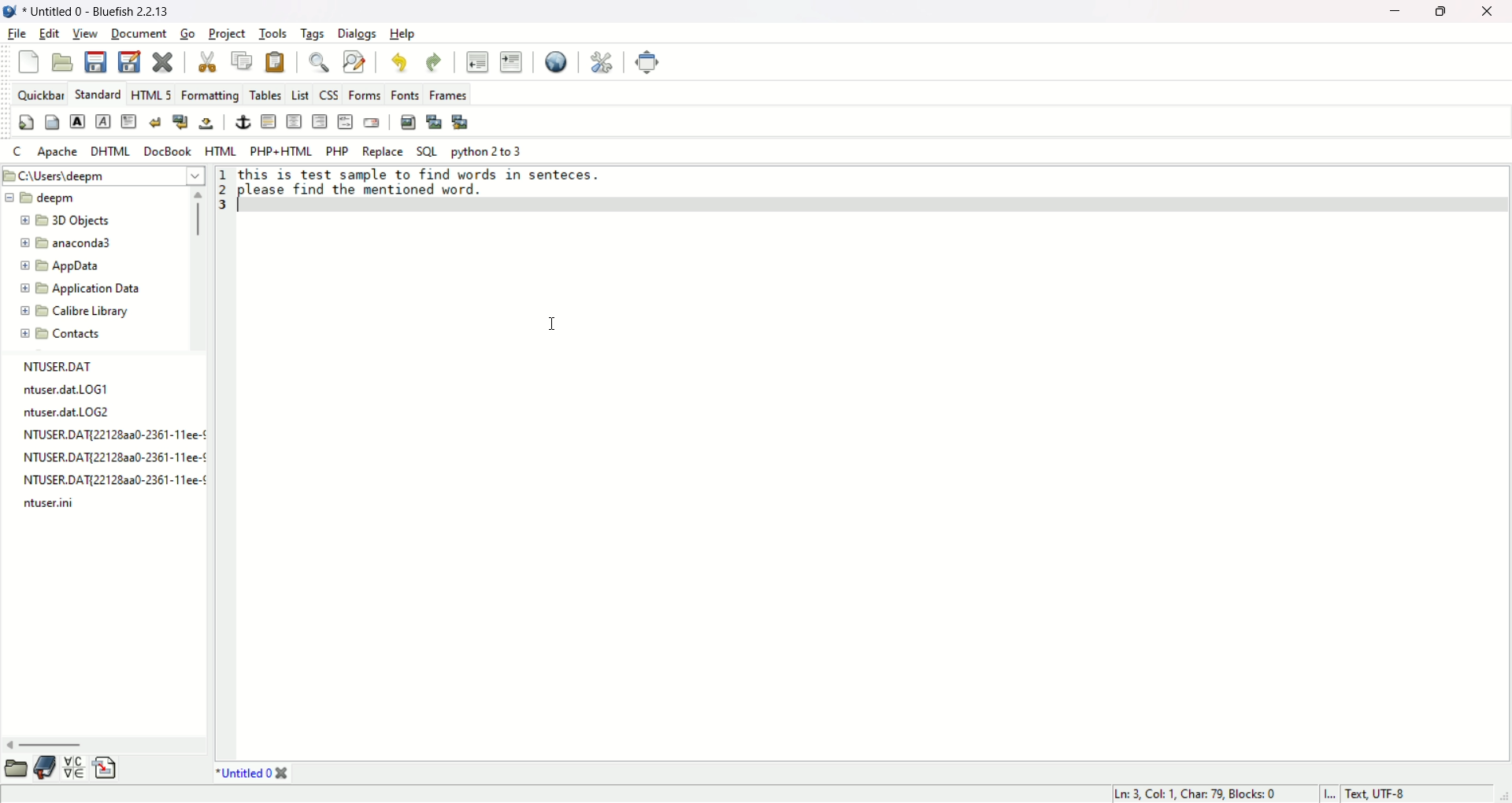 The width and height of the screenshot is (1512, 803). Describe the element at coordinates (602, 61) in the screenshot. I see `edit preferences` at that location.